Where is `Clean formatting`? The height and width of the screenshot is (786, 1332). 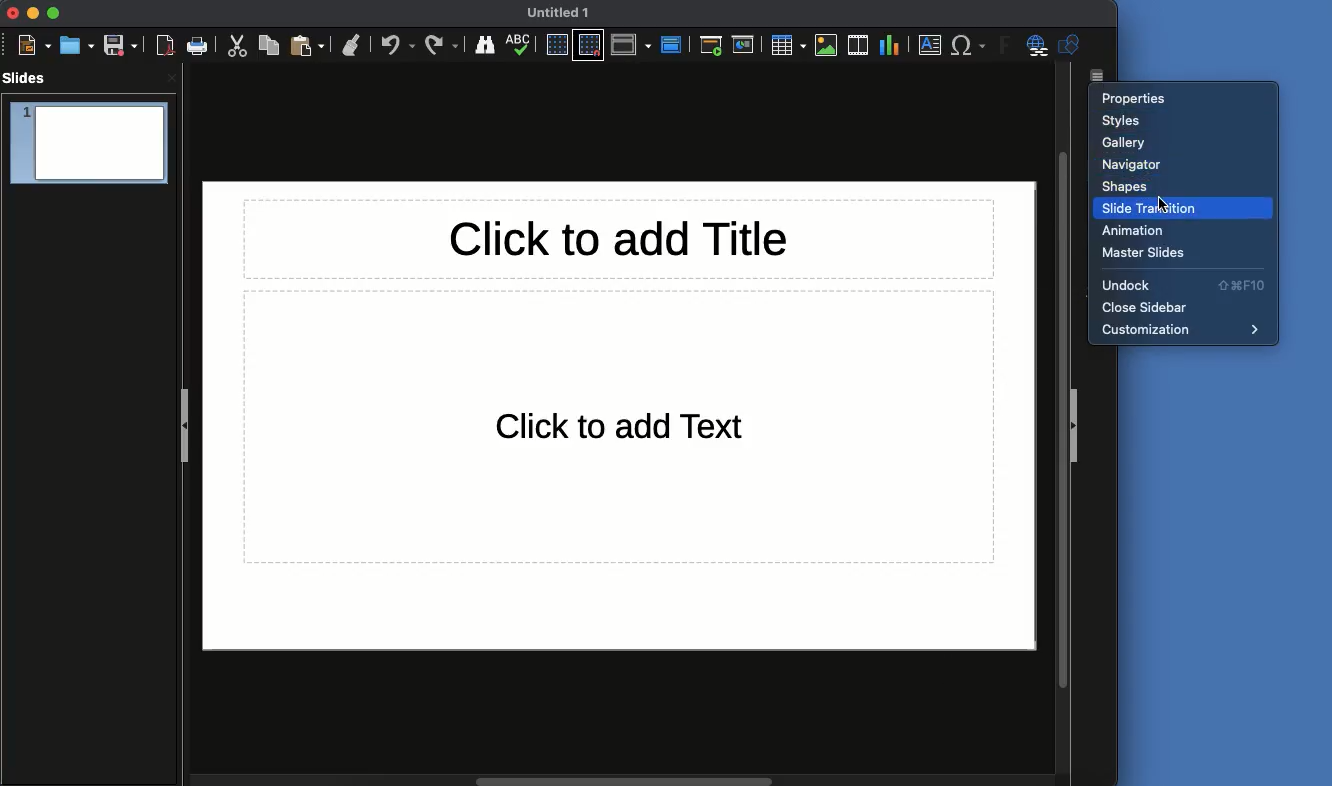 Clean formatting is located at coordinates (354, 44).